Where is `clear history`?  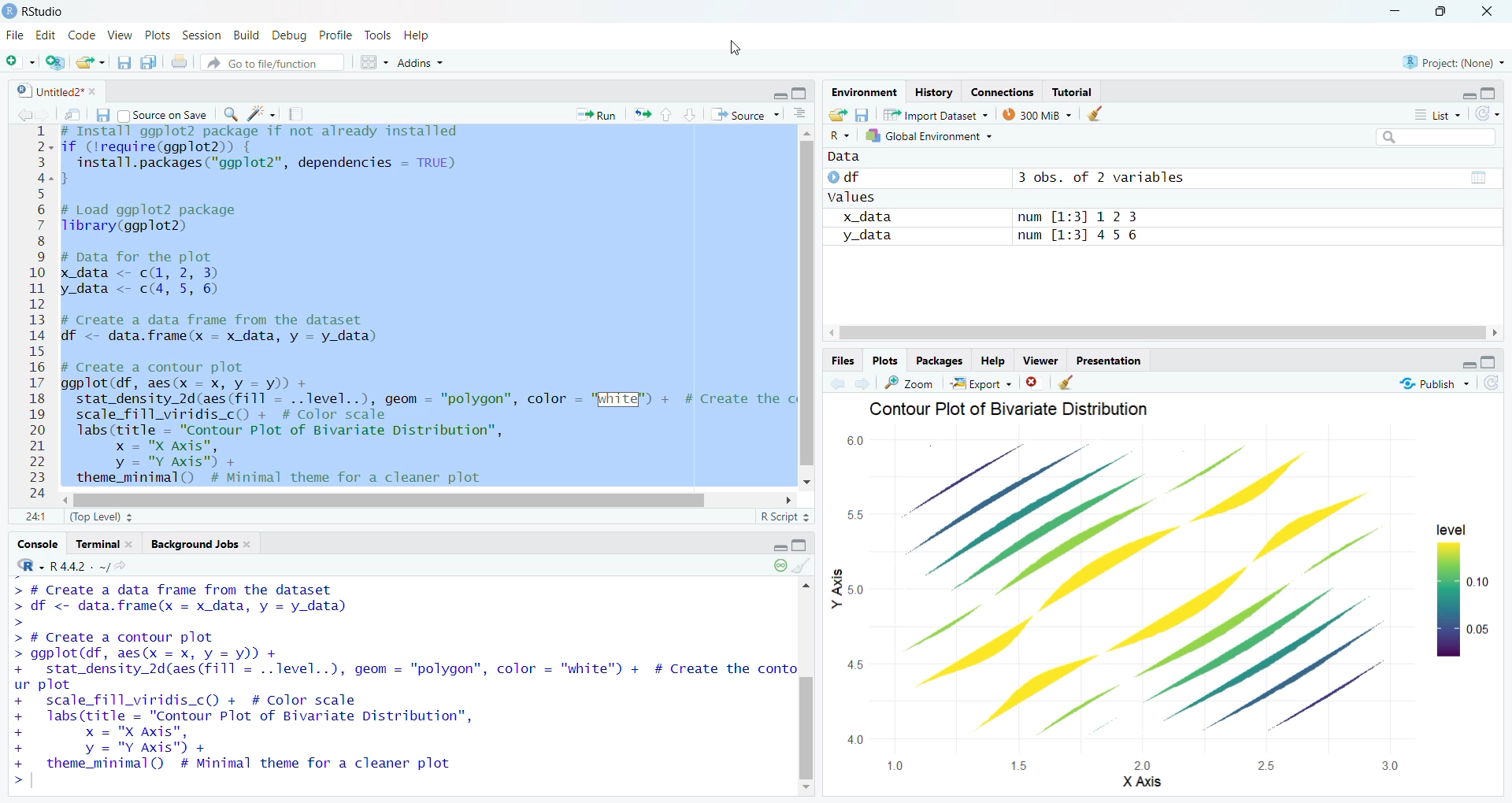 clear history is located at coordinates (1102, 113).